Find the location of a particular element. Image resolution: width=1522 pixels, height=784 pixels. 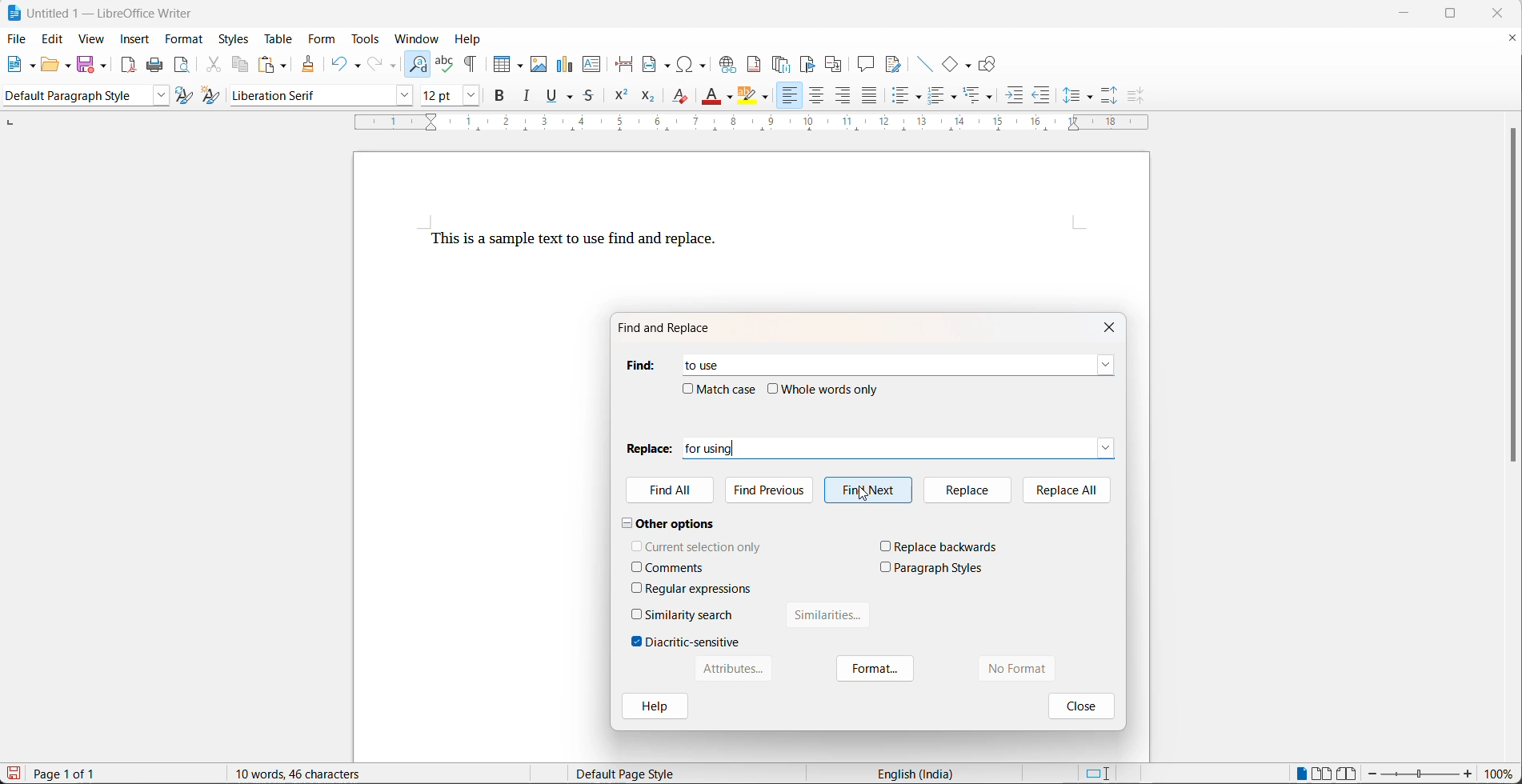

checkbox is located at coordinates (638, 614).